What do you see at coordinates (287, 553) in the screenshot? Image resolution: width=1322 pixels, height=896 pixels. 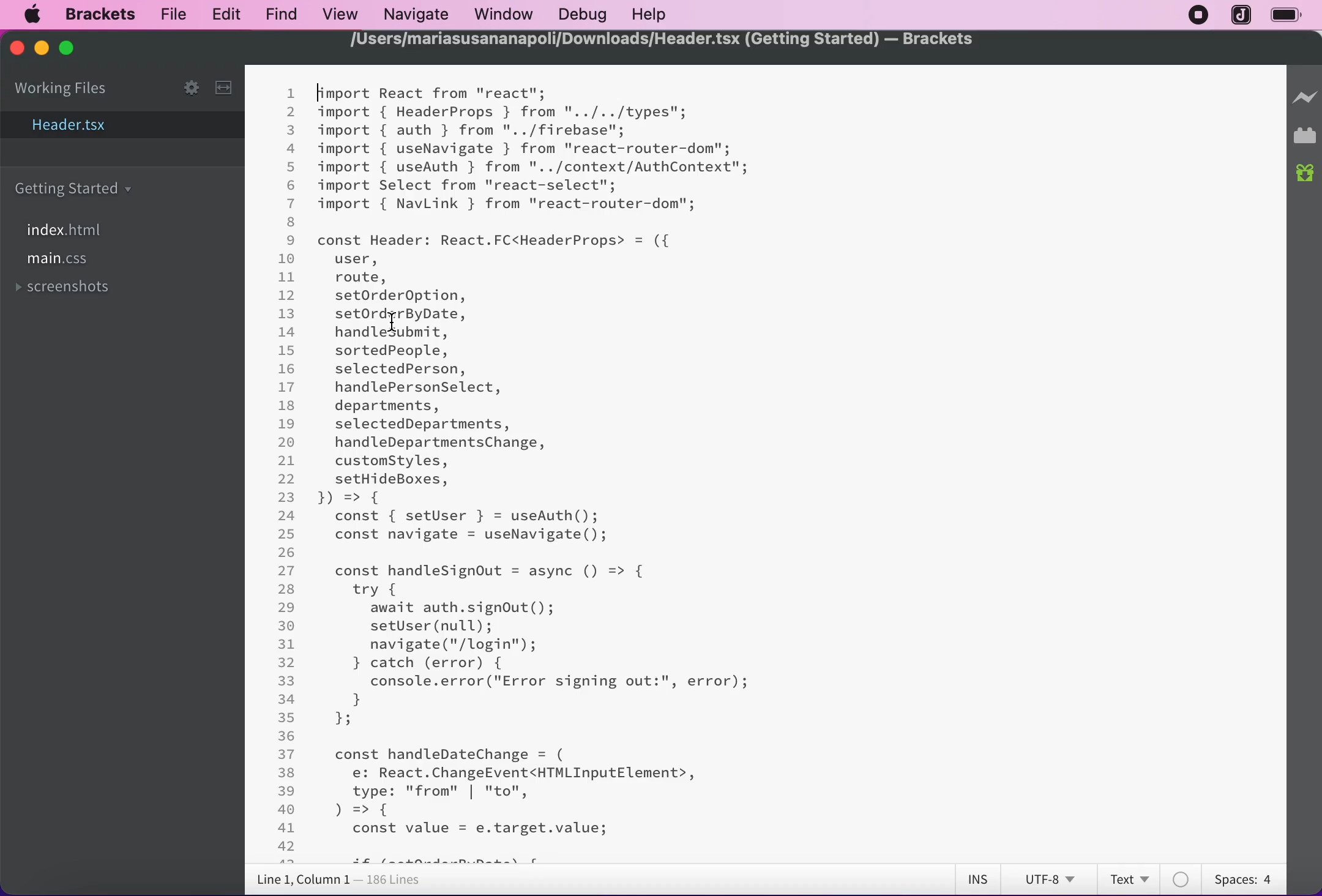 I see `26` at bounding box center [287, 553].